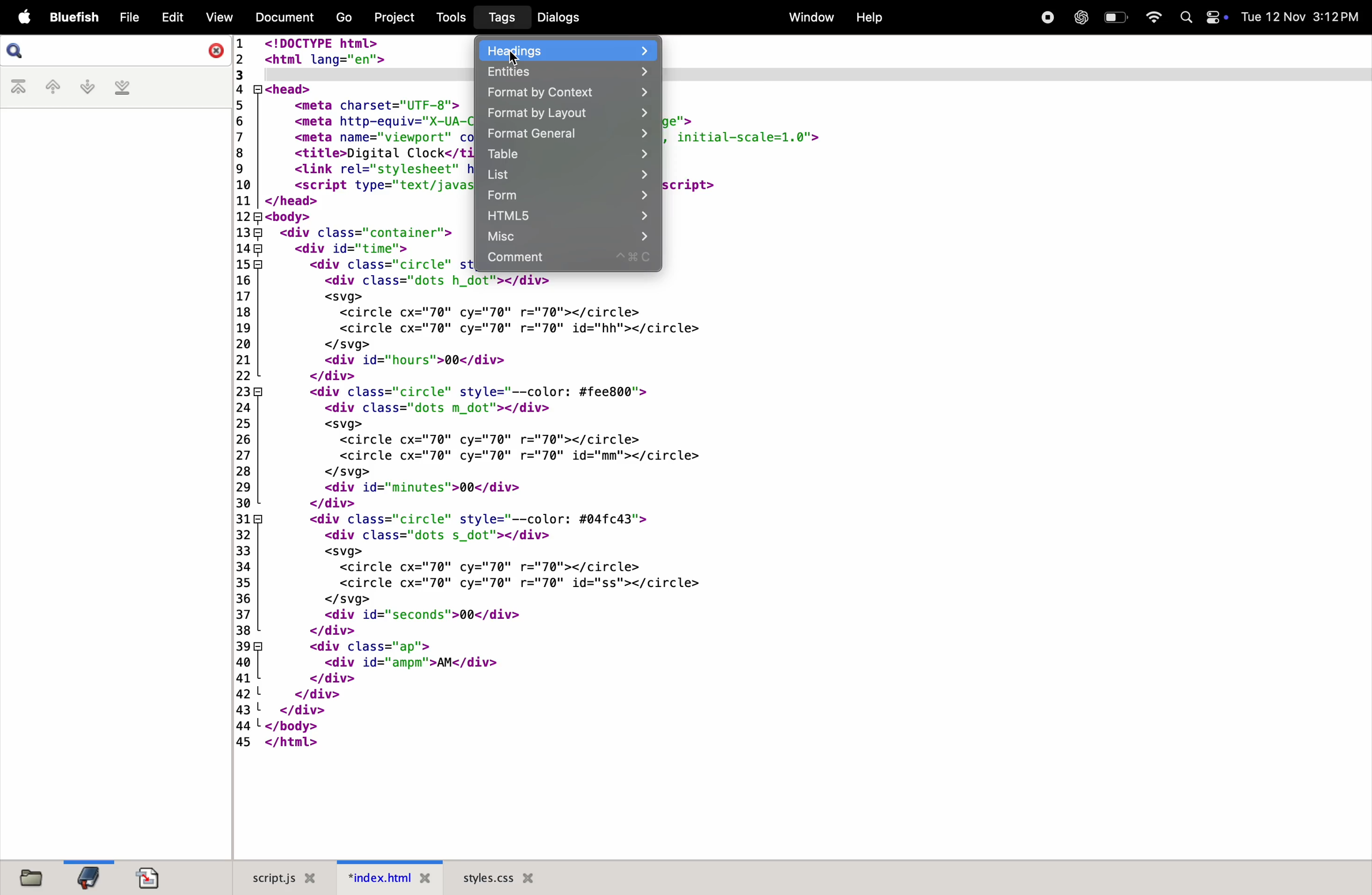  I want to click on bluefish , so click(75, 18).